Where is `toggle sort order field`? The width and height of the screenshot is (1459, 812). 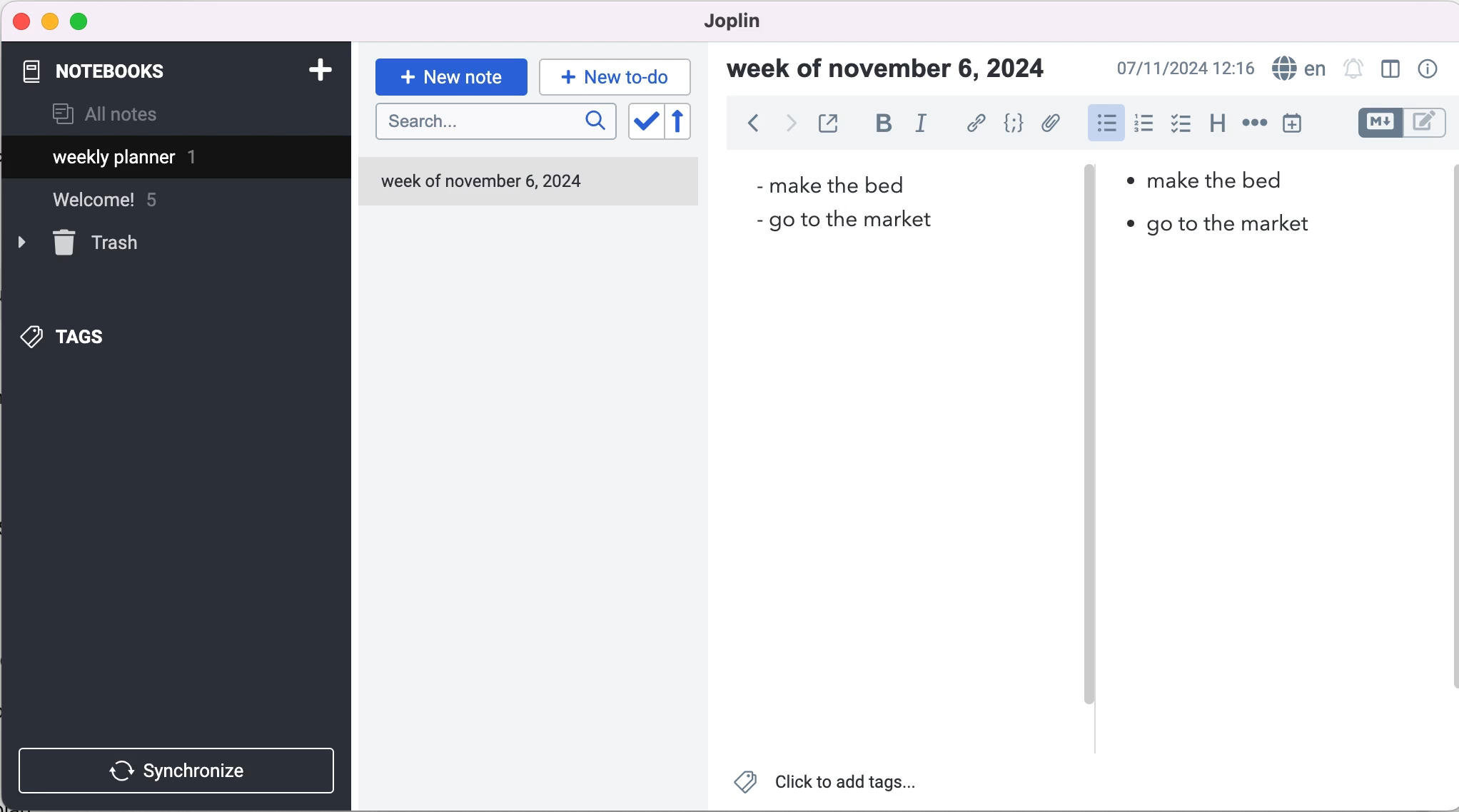
toggle sort order field is located at coordinates (644, 126).